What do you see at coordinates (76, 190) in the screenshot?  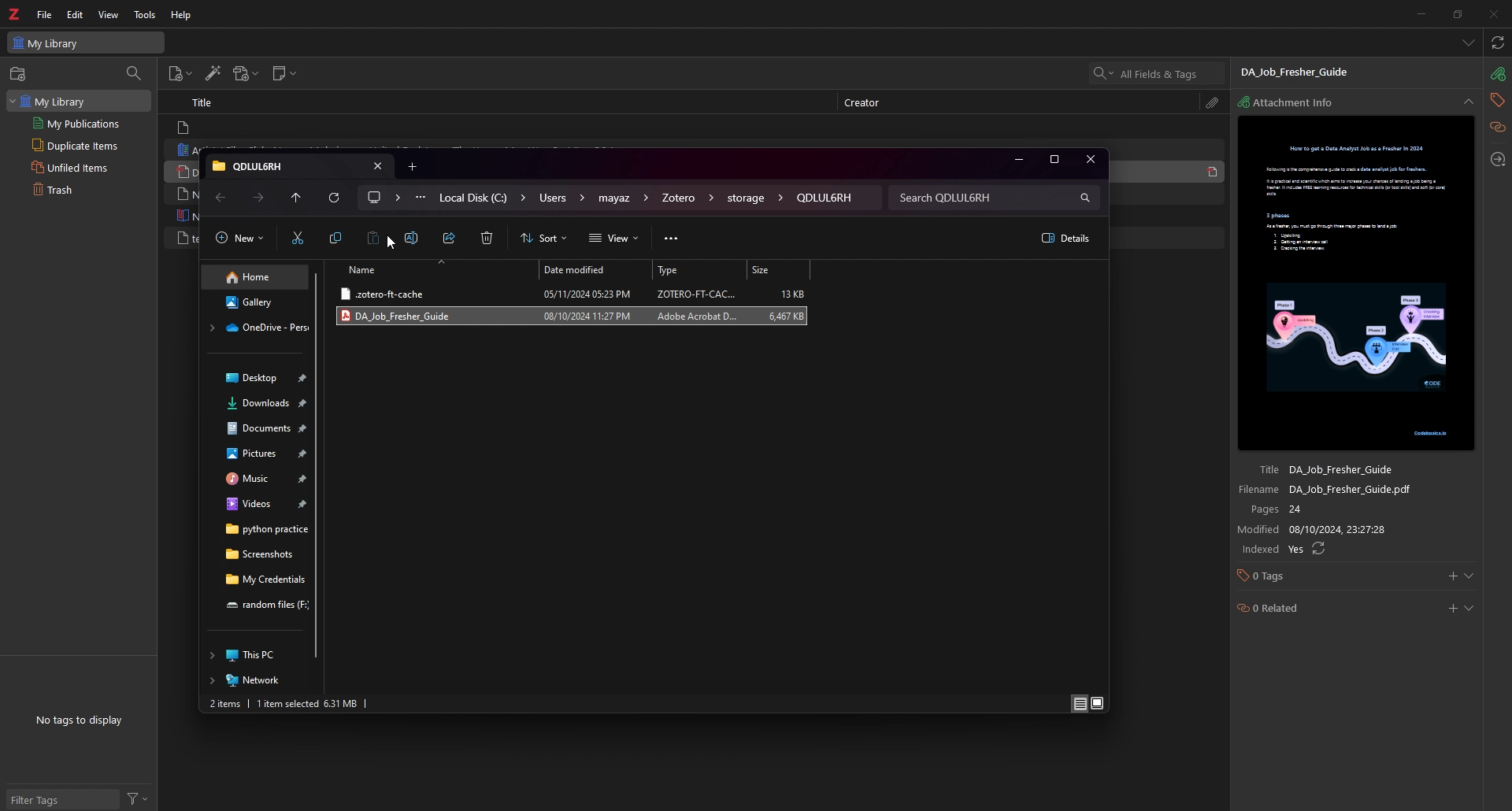 I see `trash` at bounding box center [76, 190].